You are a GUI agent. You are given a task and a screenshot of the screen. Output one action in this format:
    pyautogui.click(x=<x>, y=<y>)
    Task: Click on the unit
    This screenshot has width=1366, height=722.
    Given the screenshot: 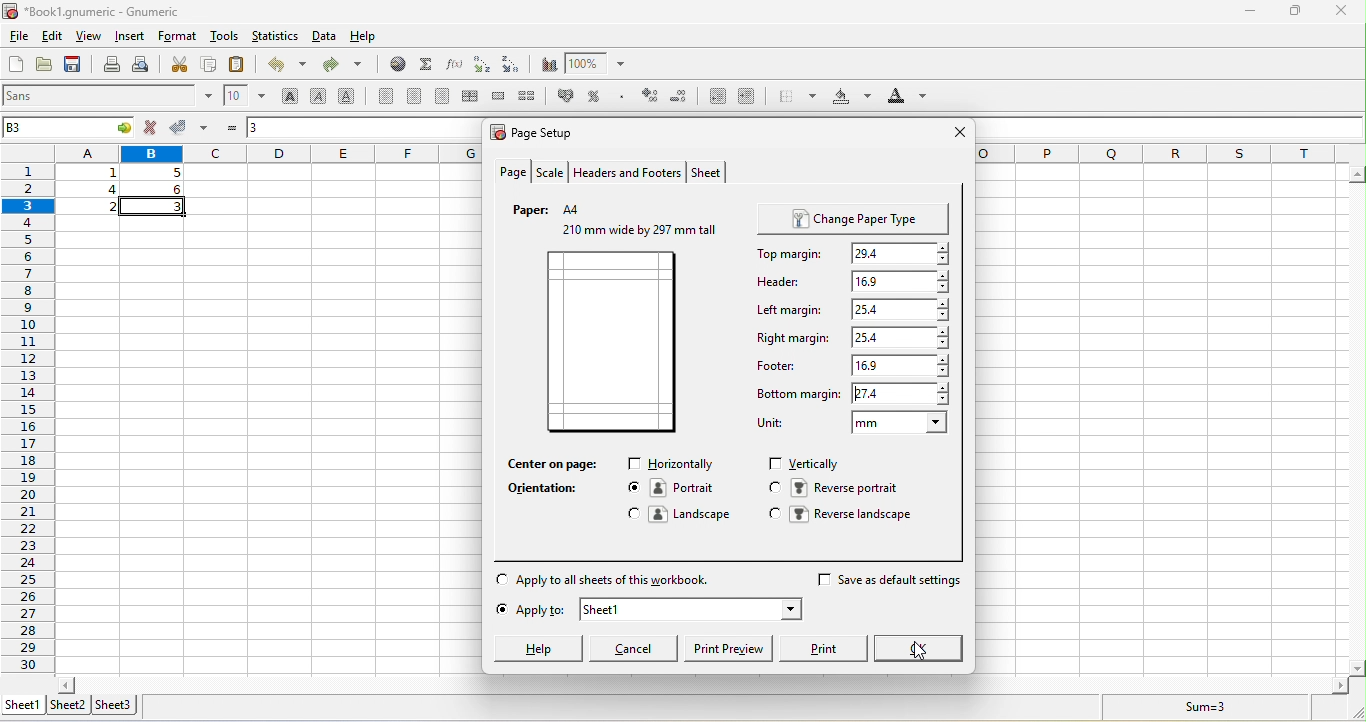 What is the action you would take?
    pyautogui.click(x=770, y=424)
    